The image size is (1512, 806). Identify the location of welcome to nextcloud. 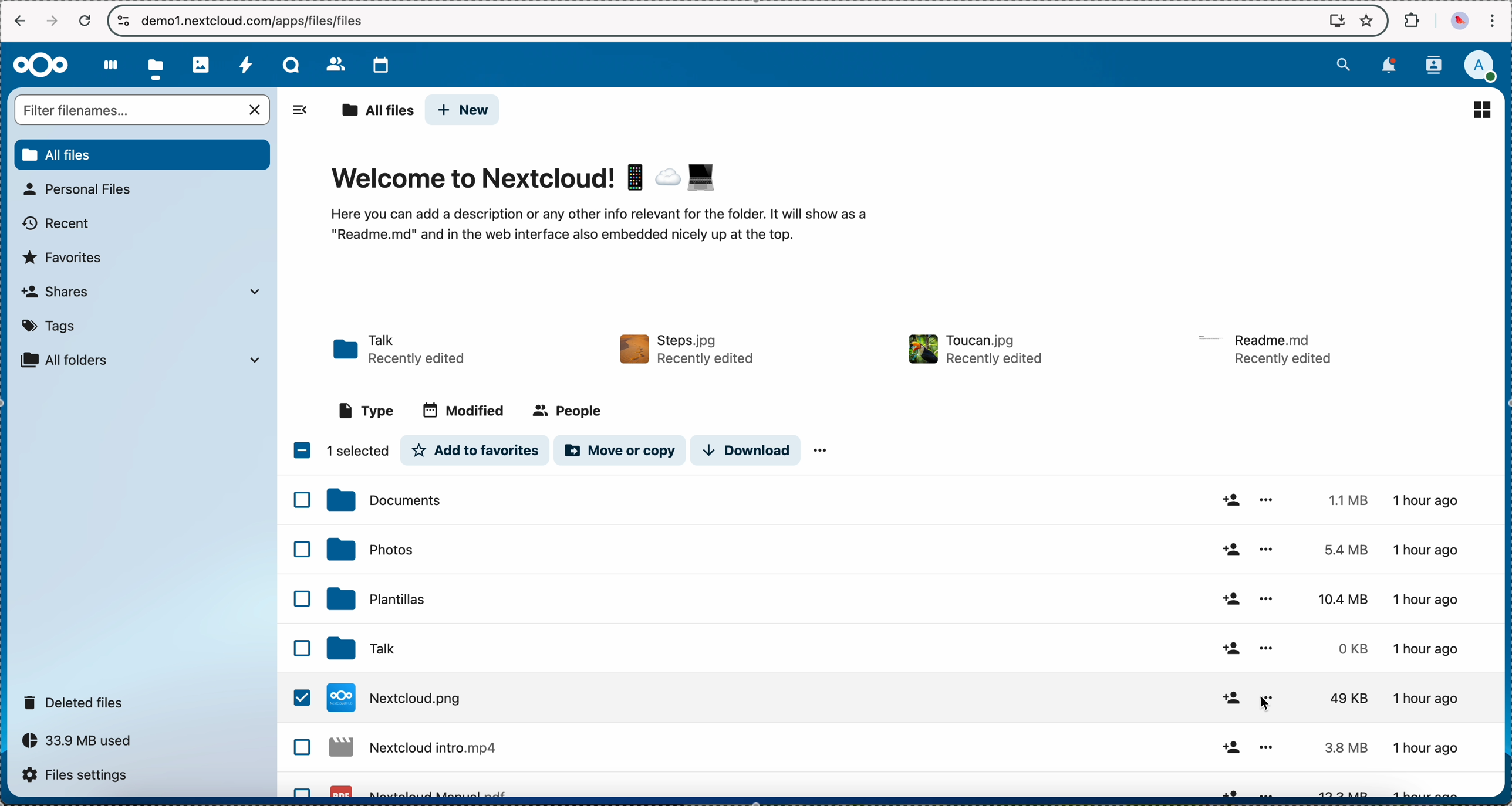
(610, 204).